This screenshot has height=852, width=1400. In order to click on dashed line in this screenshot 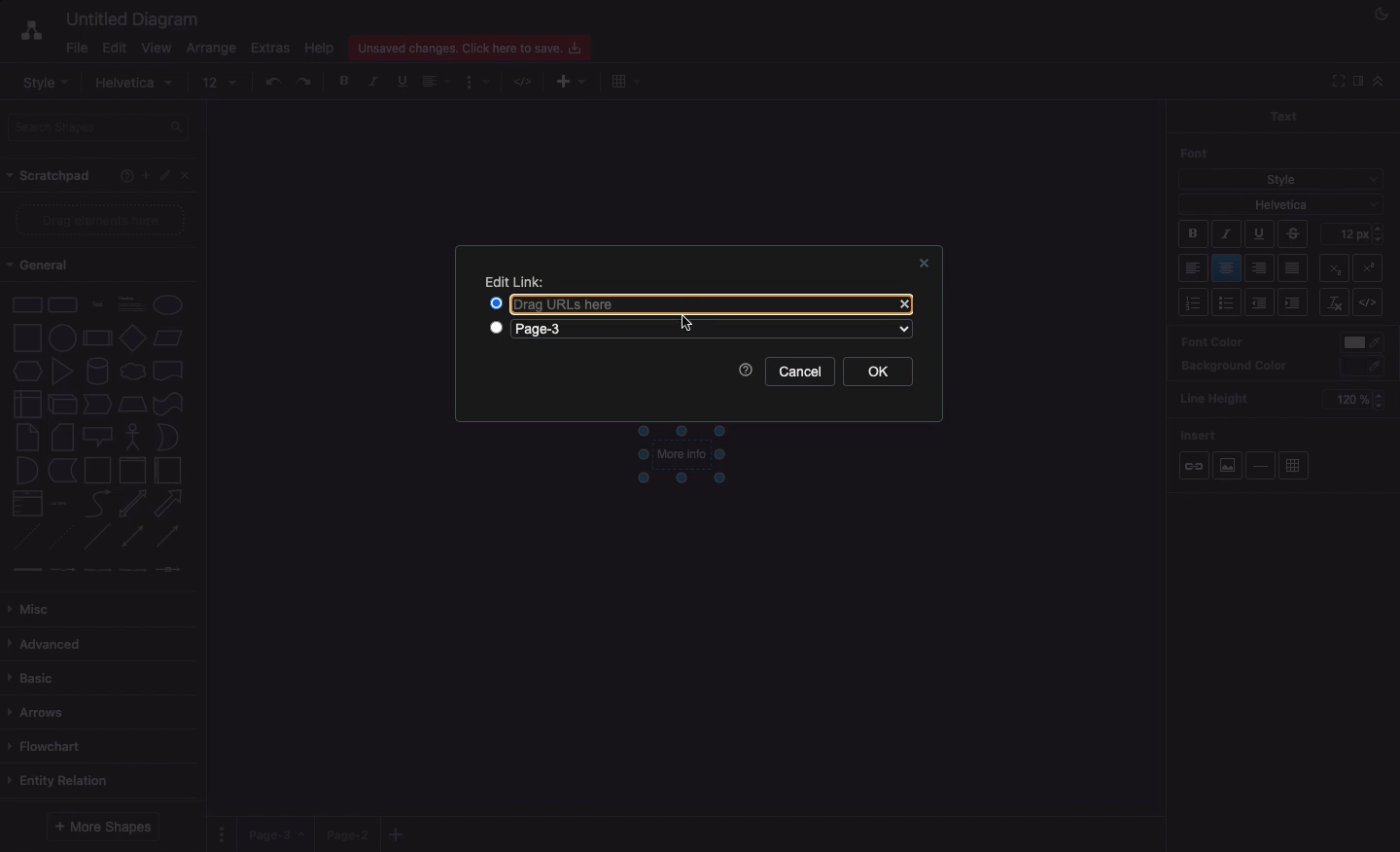, I will do `click(25, 537)`.